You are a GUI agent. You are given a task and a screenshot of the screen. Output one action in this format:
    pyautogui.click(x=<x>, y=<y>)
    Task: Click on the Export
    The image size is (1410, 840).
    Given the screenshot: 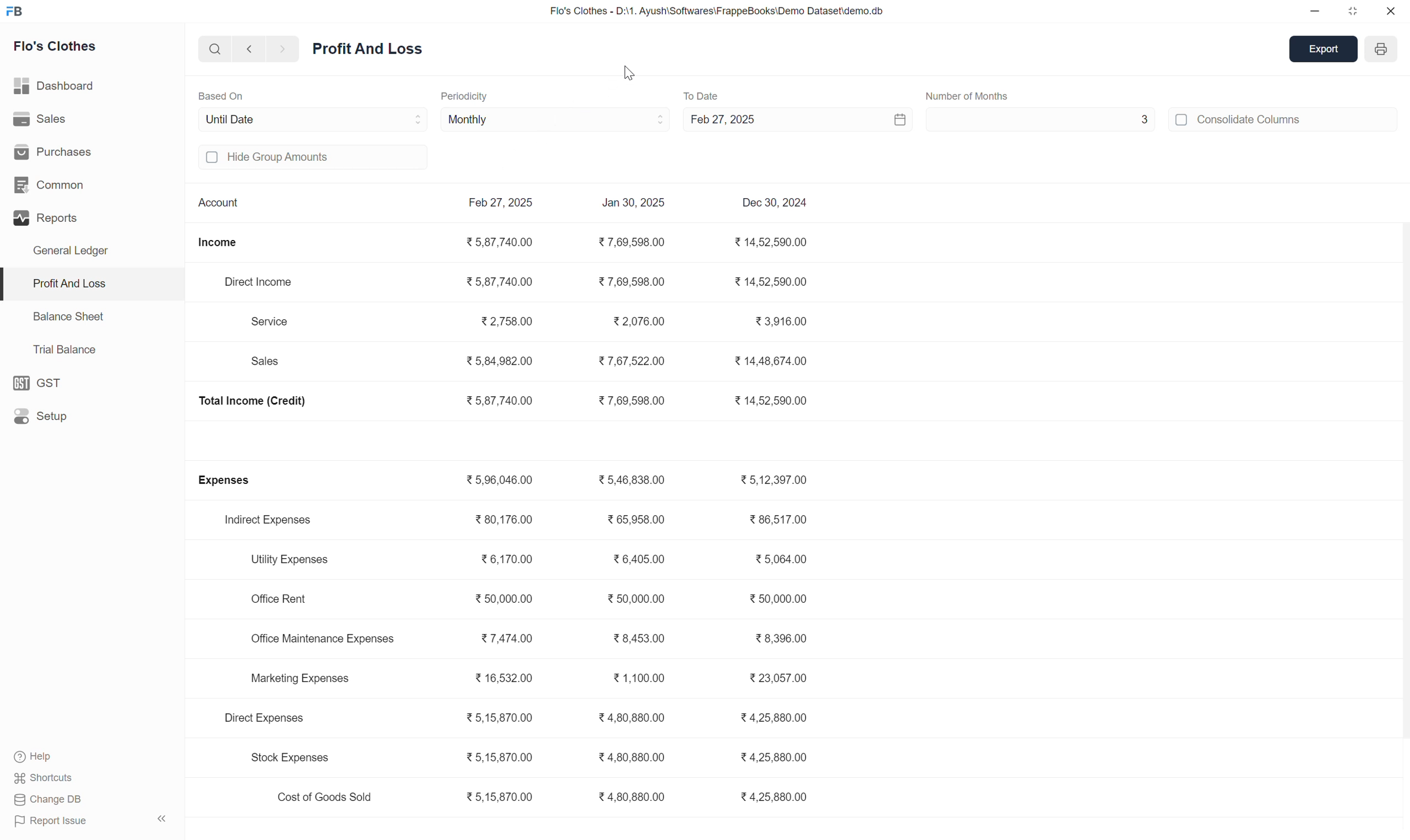 What is the action you would take?
    pyautogui.click(x=1318, y=49)
    